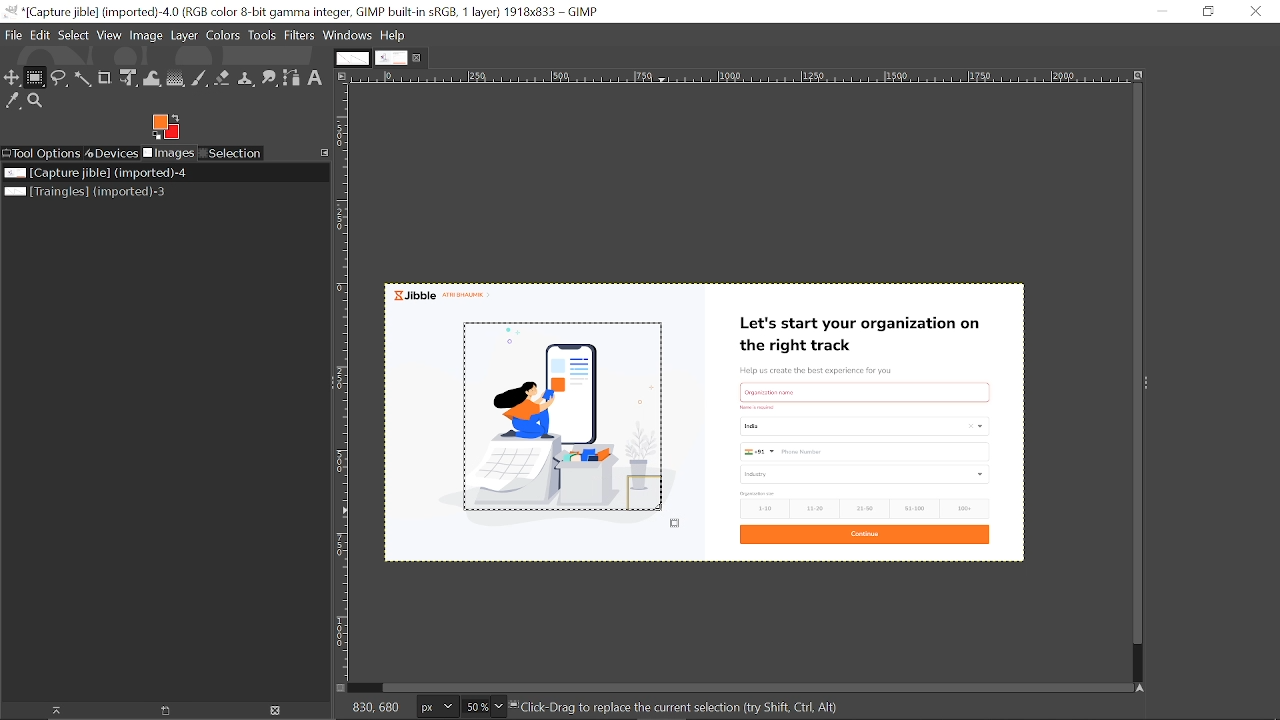 This screenshot has height=720, width=1280. I want to click on 830, 680, so click(379, 706).